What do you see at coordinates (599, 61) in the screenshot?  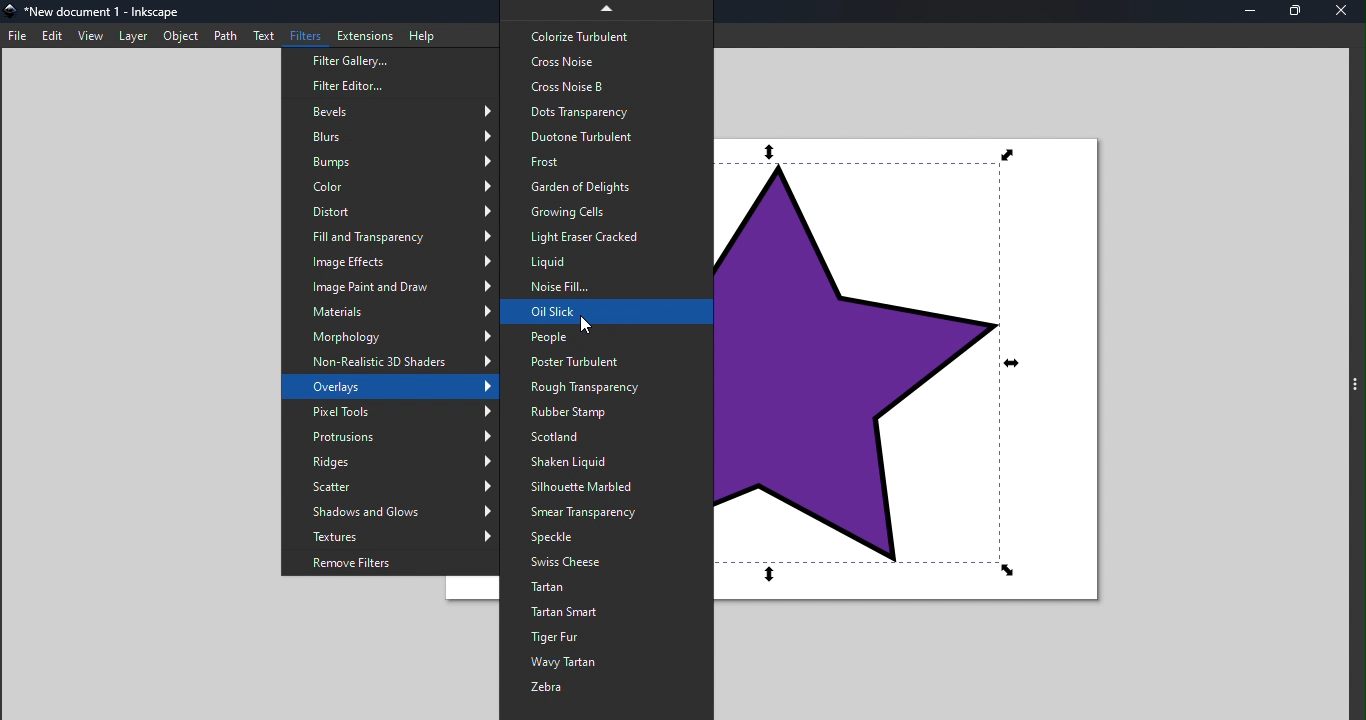 I see `Cross noise` at bounding box center [599, 61].